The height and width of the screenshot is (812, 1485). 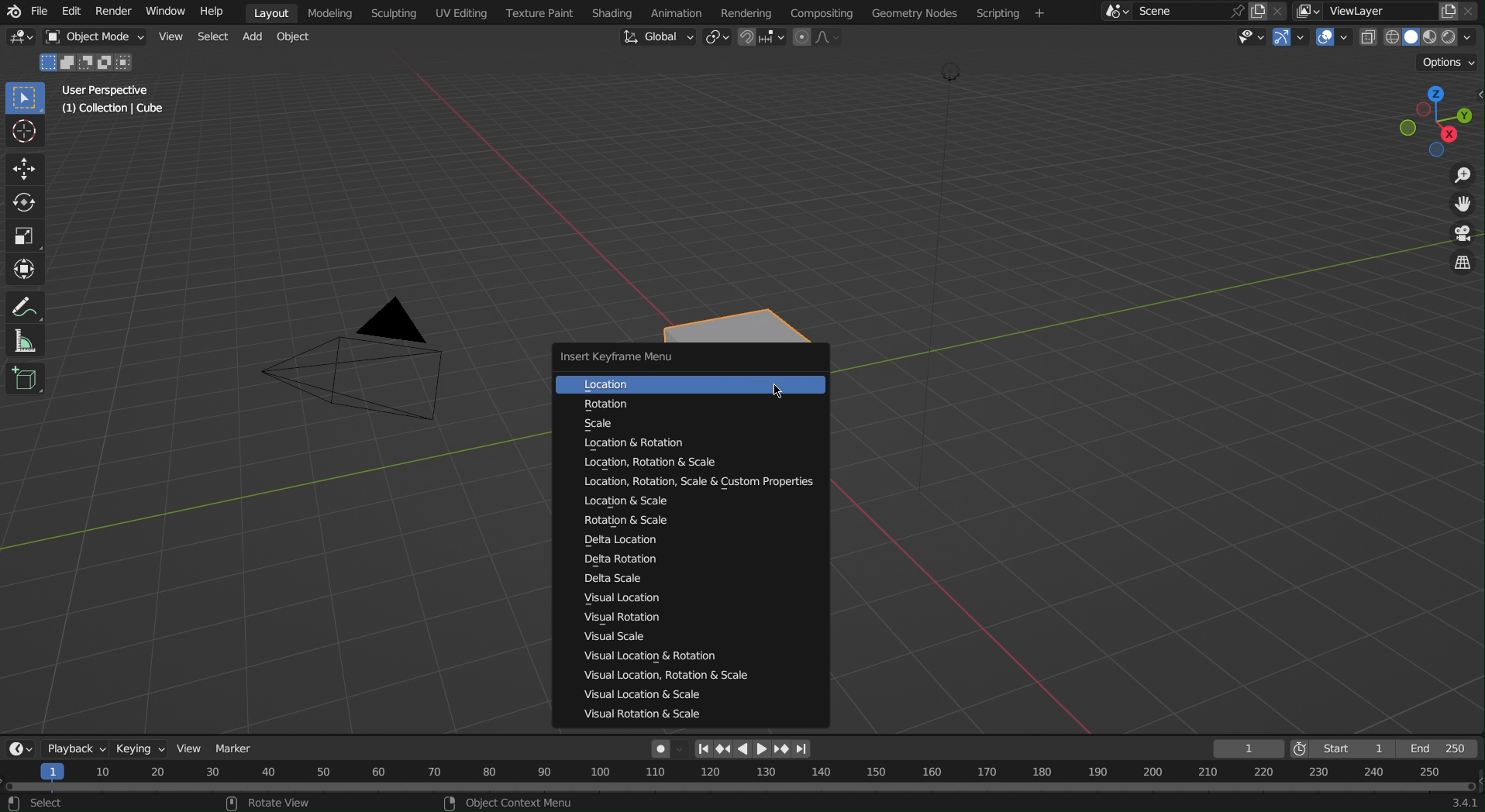 I want to click on Proportional Editing, so click(x=820, y=38).